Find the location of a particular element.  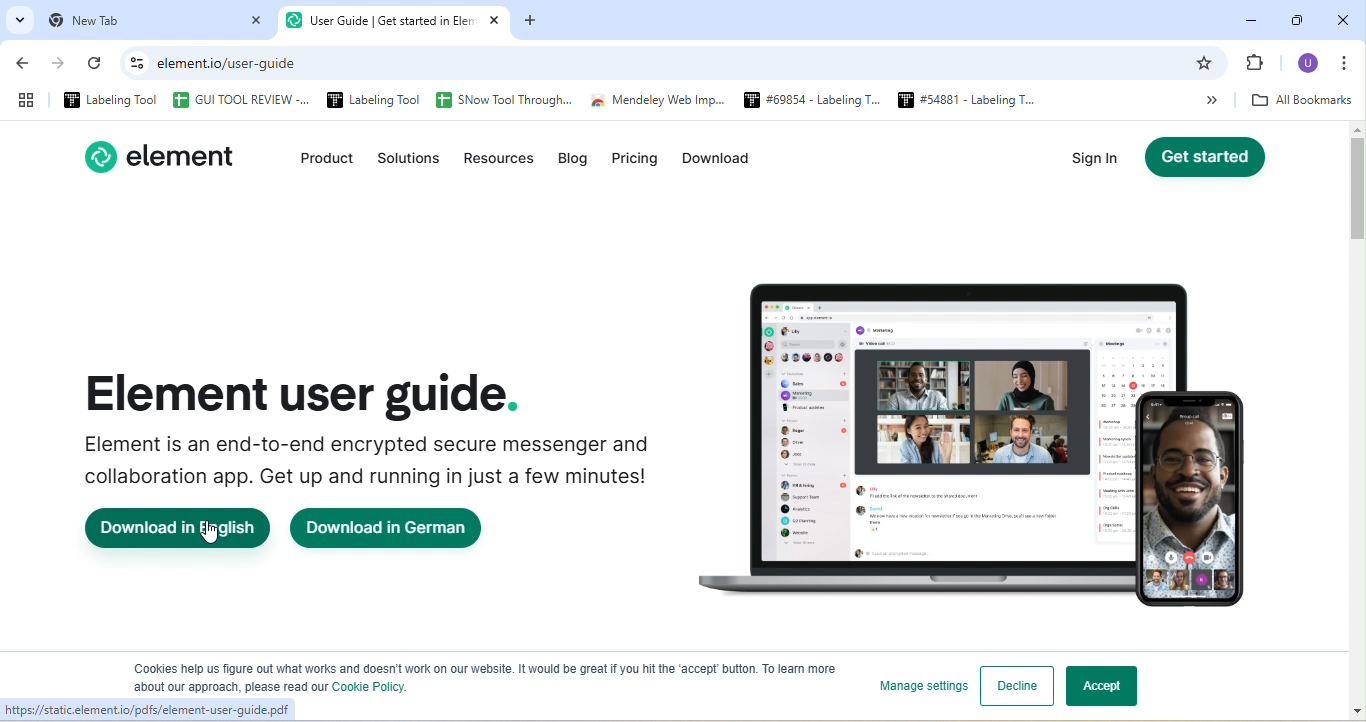

add new tab is located at coordinates (533, 23).